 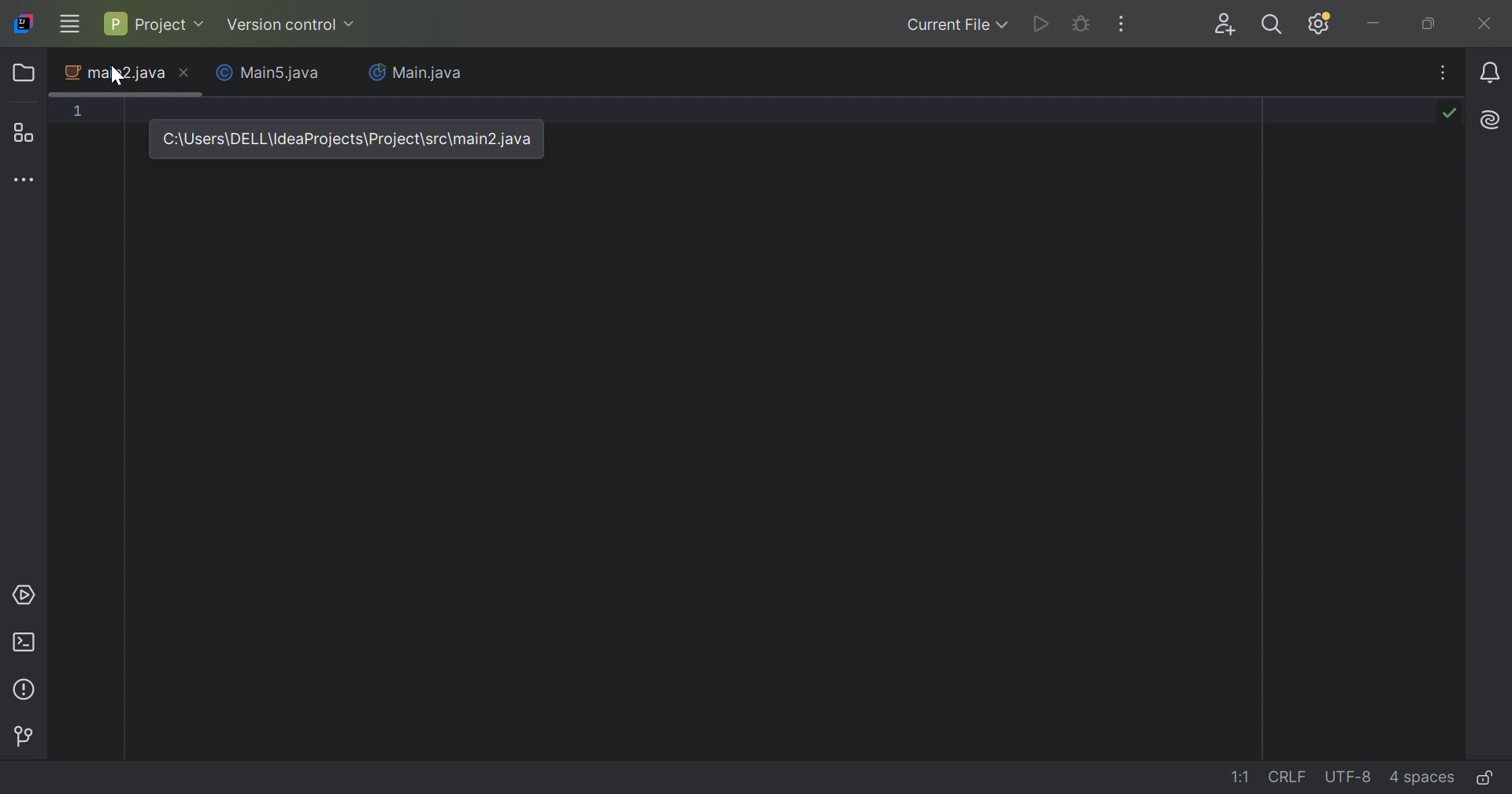 I want to click on Version control, so click(x=292, y=27).